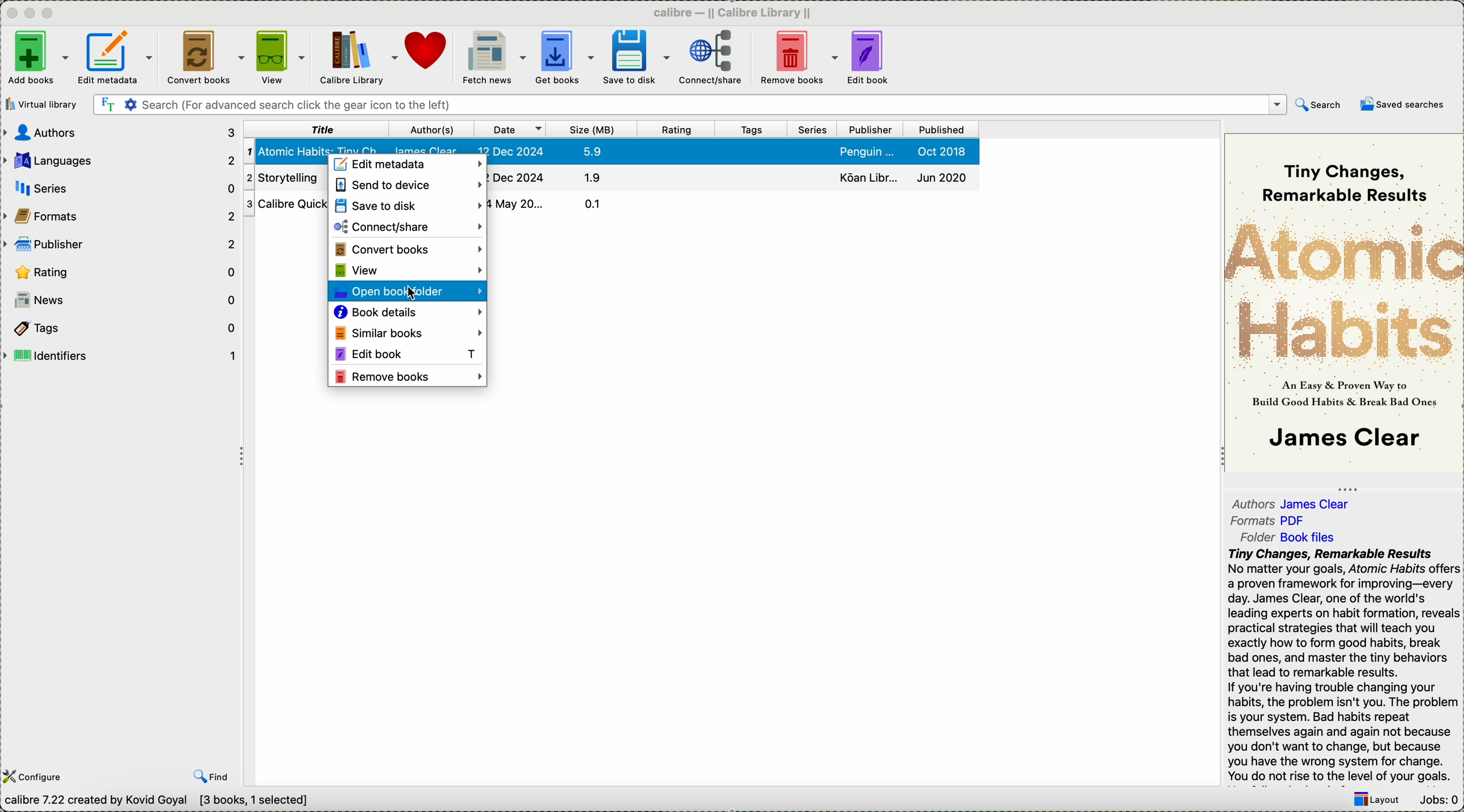  What do you see at coordinates (1343, 666) in the screenshot?
I see `summary` at bounding box center [1343, 666].